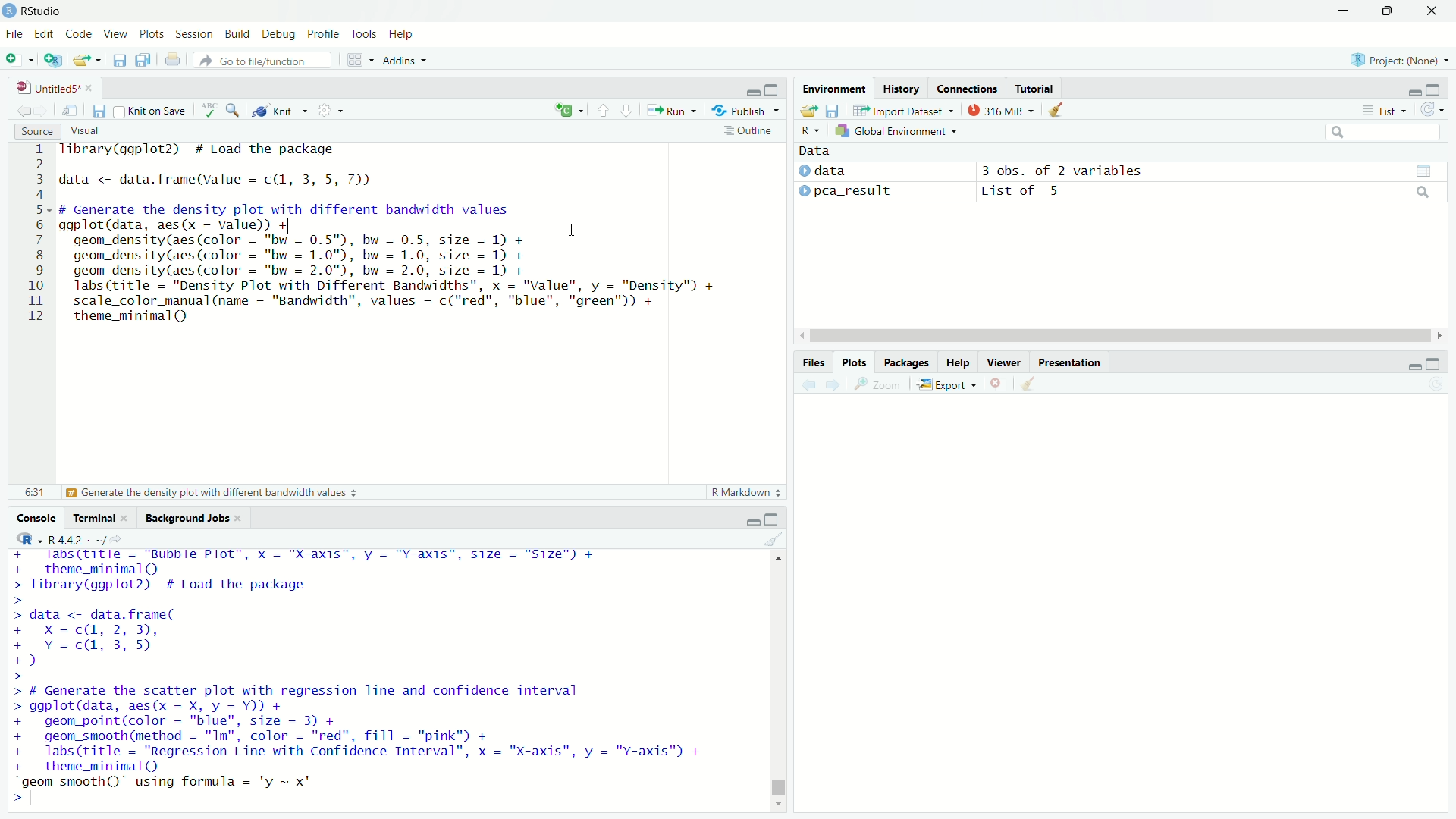  I want to click on Knit on Save, so click(152, 111).